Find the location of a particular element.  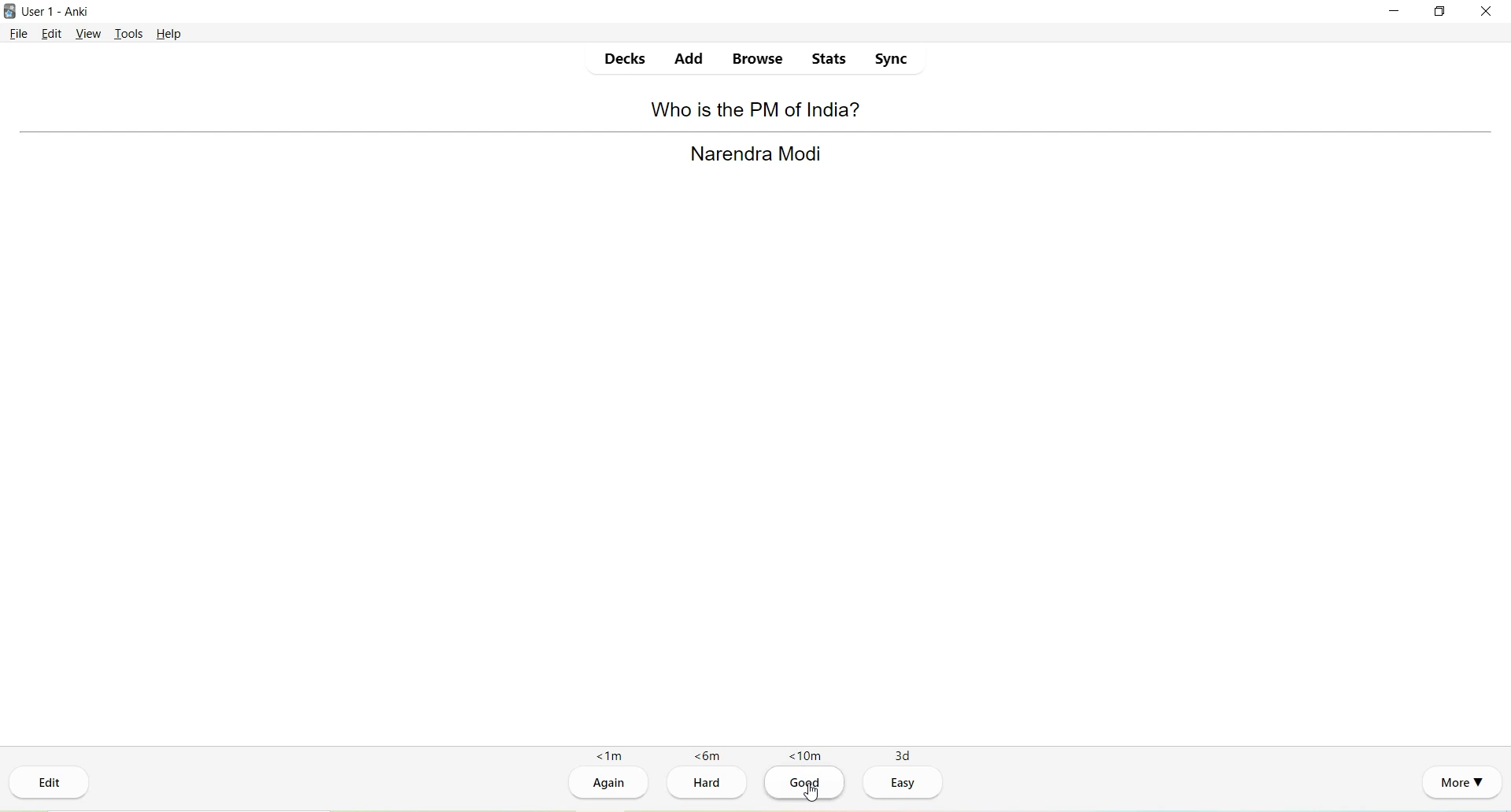

Close is located at coordinates (1487, 11).